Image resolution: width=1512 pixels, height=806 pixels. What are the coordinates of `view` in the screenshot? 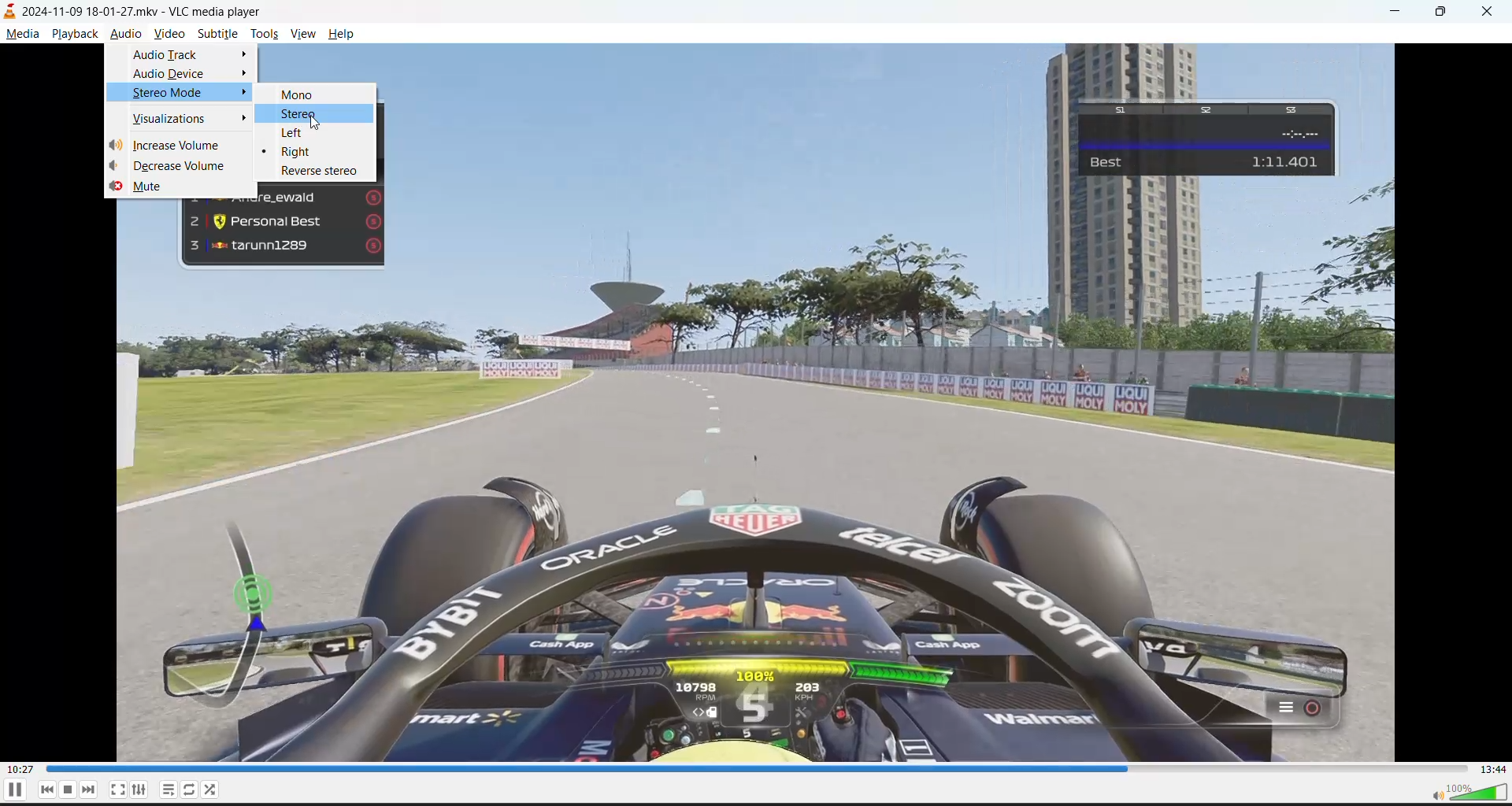 It's located at (302, 35).